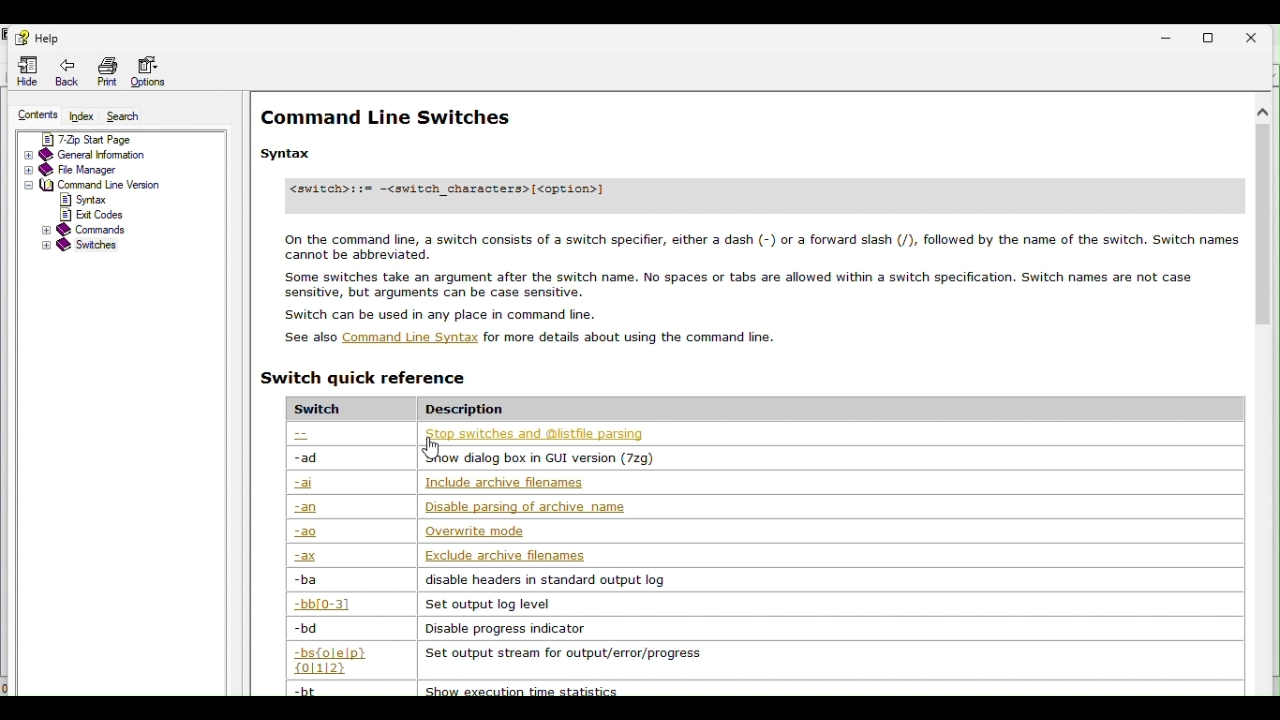 This screenshot has width=1280, height=720. I want to click on Switch, so click(347, 408).